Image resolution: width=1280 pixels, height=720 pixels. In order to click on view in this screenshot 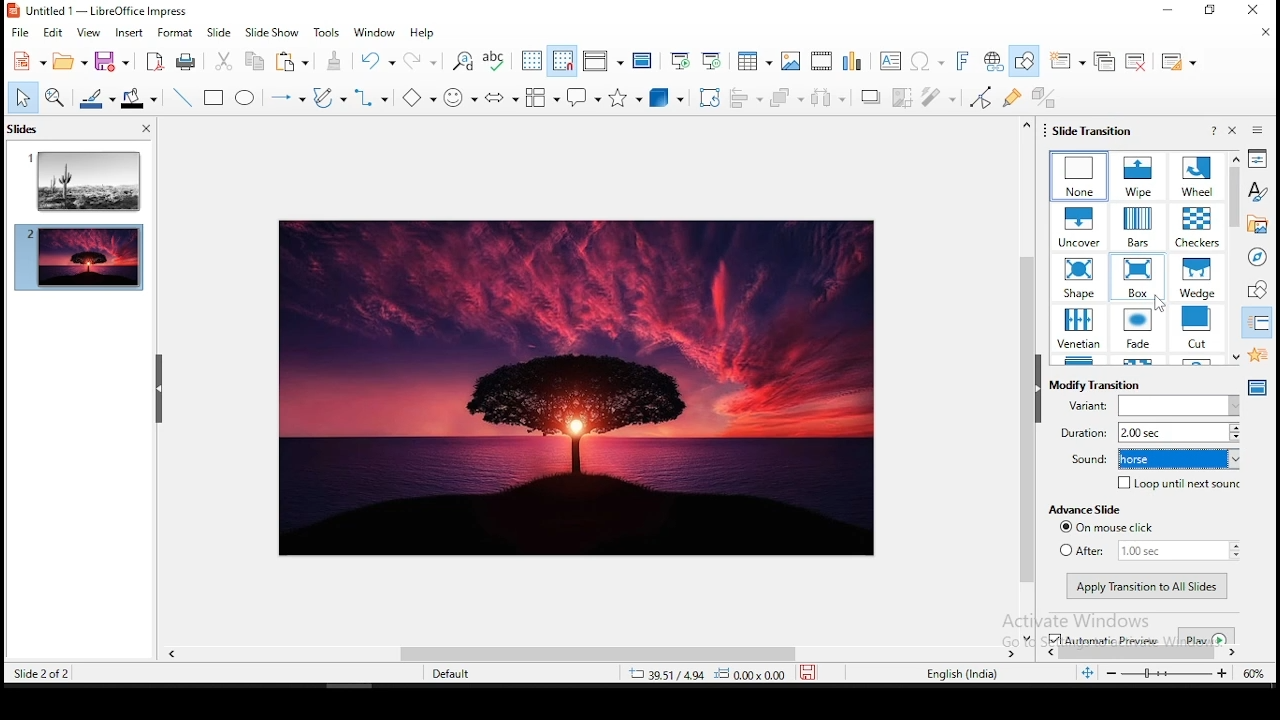, I will do `click(88, 33)`.